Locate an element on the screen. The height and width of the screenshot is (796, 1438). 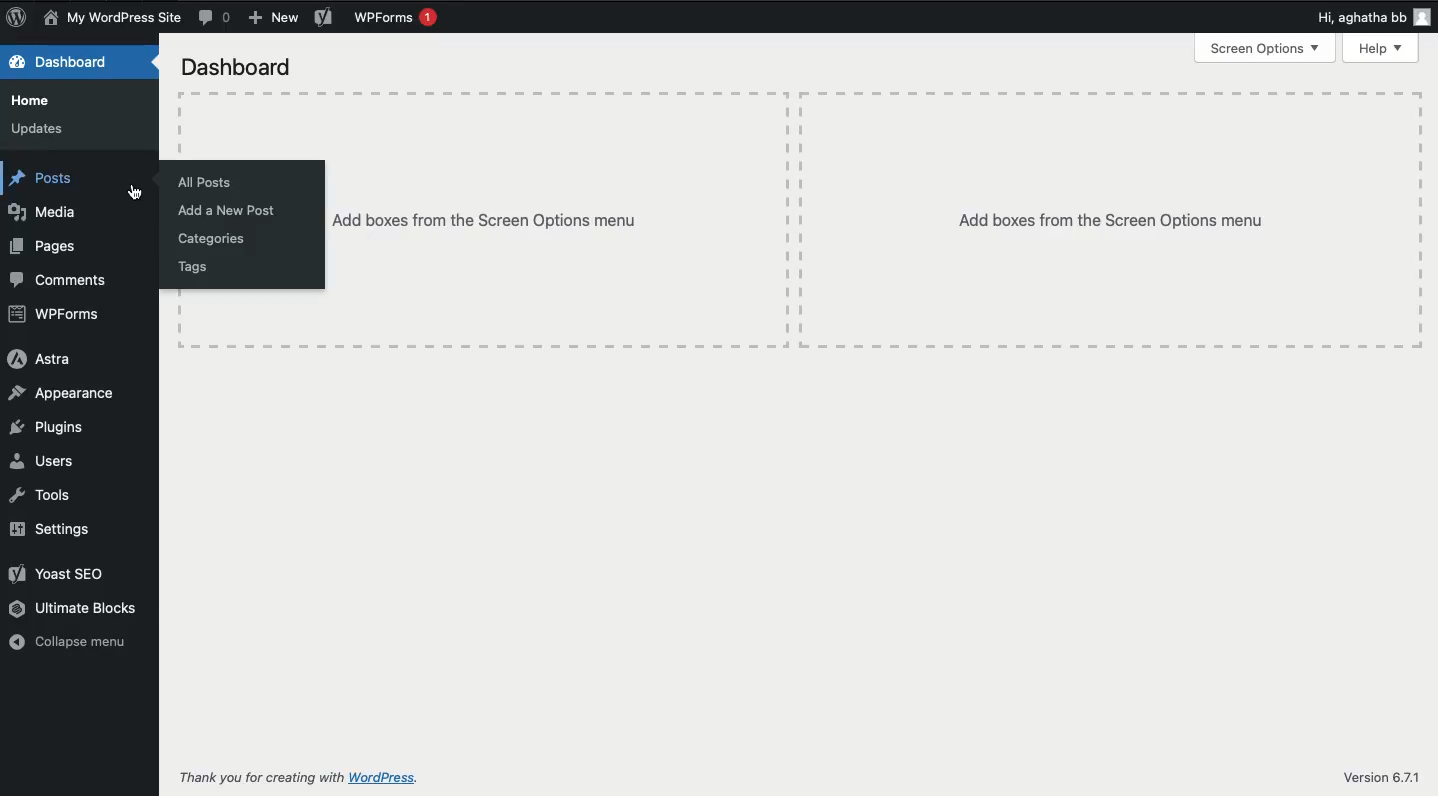
 is located at coordinates (560, 221).